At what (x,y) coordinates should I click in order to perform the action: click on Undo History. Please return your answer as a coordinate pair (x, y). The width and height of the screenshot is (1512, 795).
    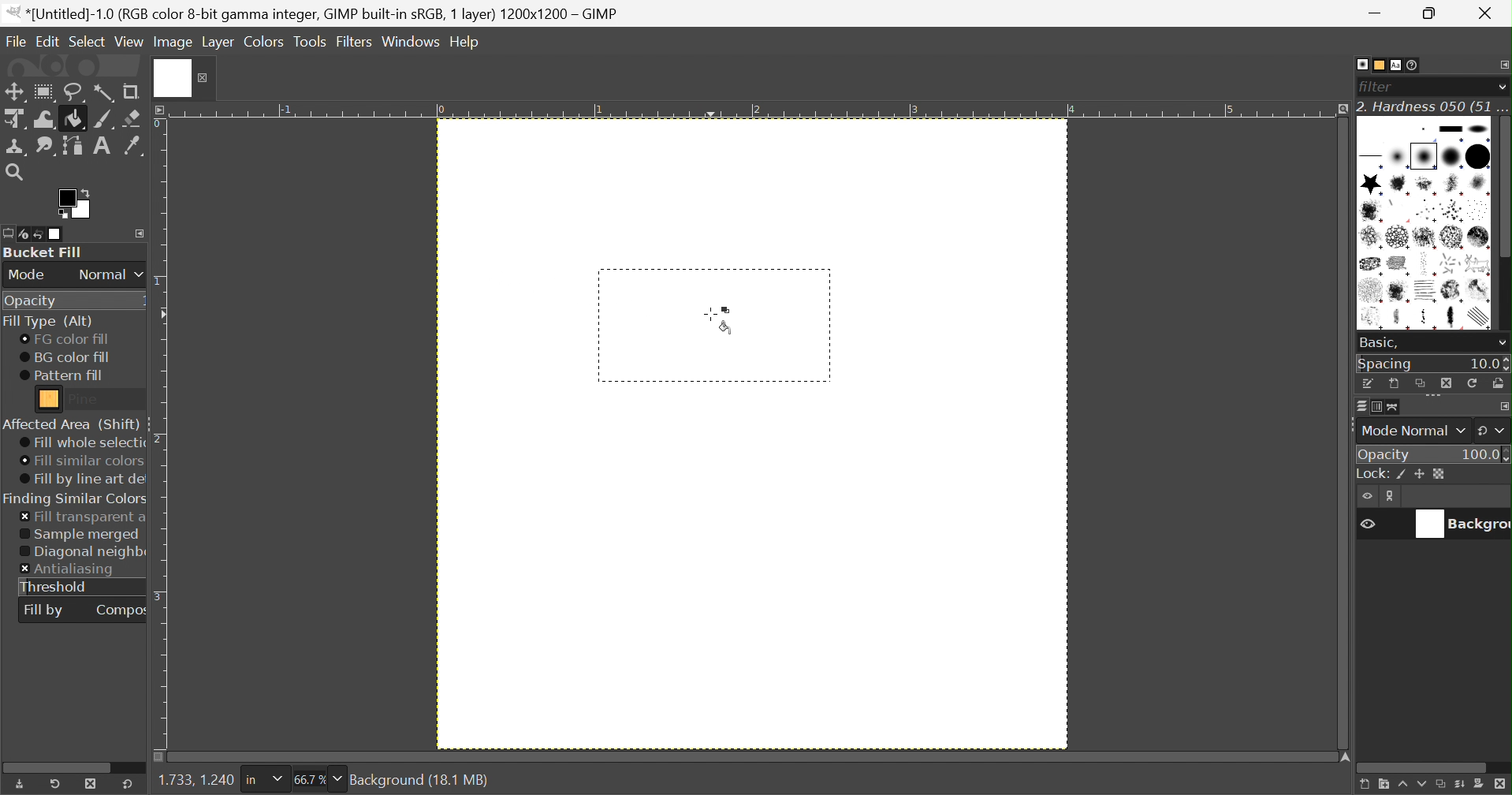
    Looking at the image, I should click on (39, 236).